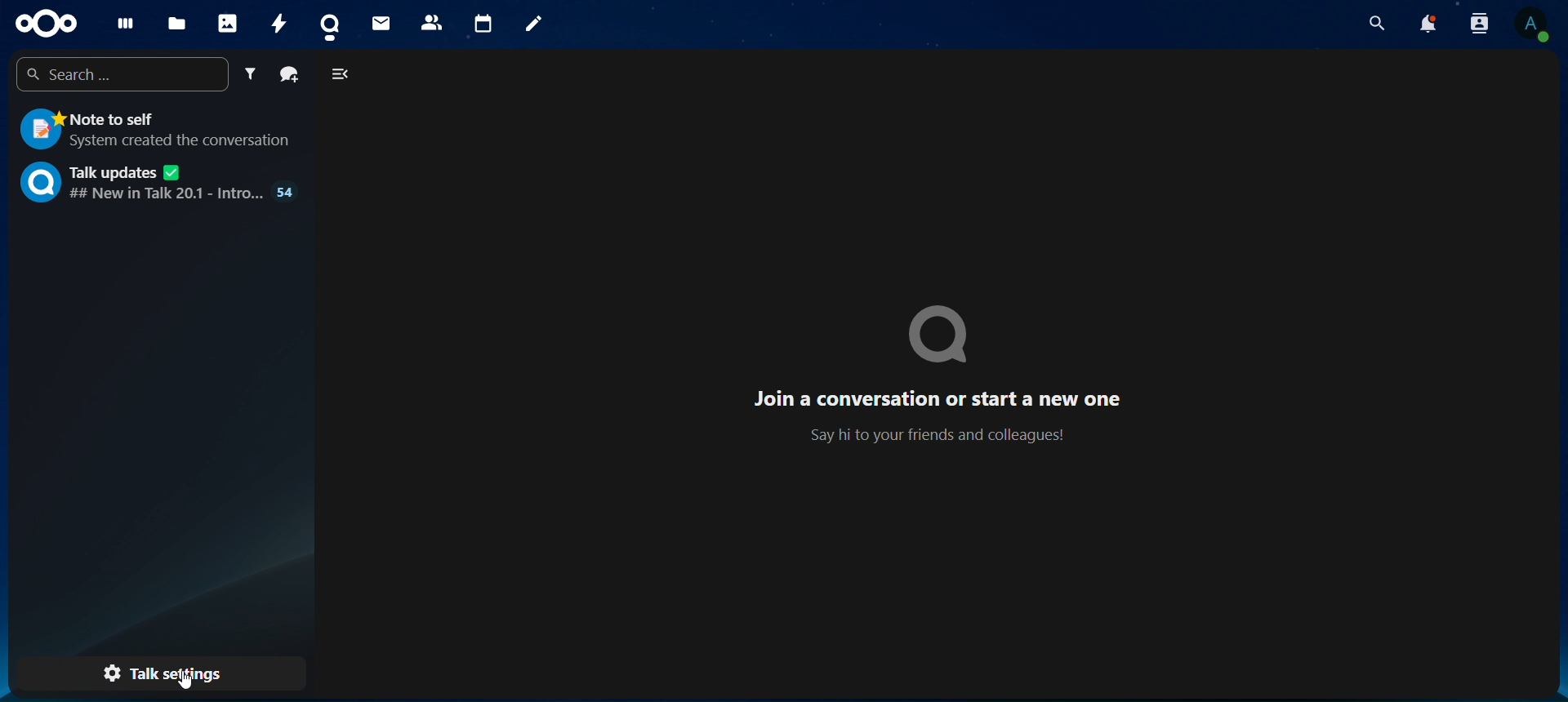  What do you see at coordinates (250, 73) in the screenshot?
I see `filter` at bounding box center [250, 73].